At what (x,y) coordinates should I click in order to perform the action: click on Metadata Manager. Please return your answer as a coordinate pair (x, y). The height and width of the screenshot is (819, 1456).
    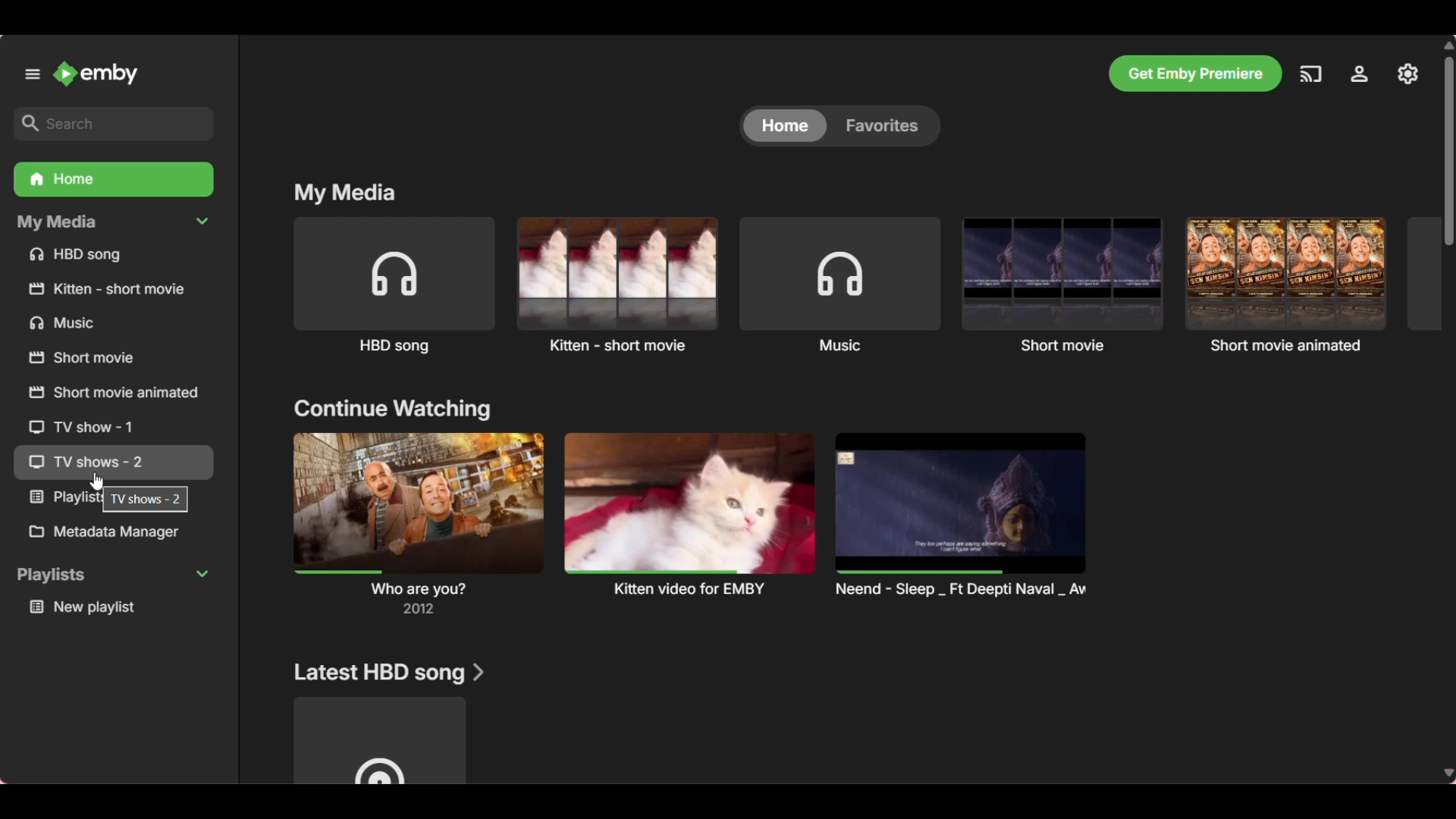
    Looking at the image, I should click on (112, 532).